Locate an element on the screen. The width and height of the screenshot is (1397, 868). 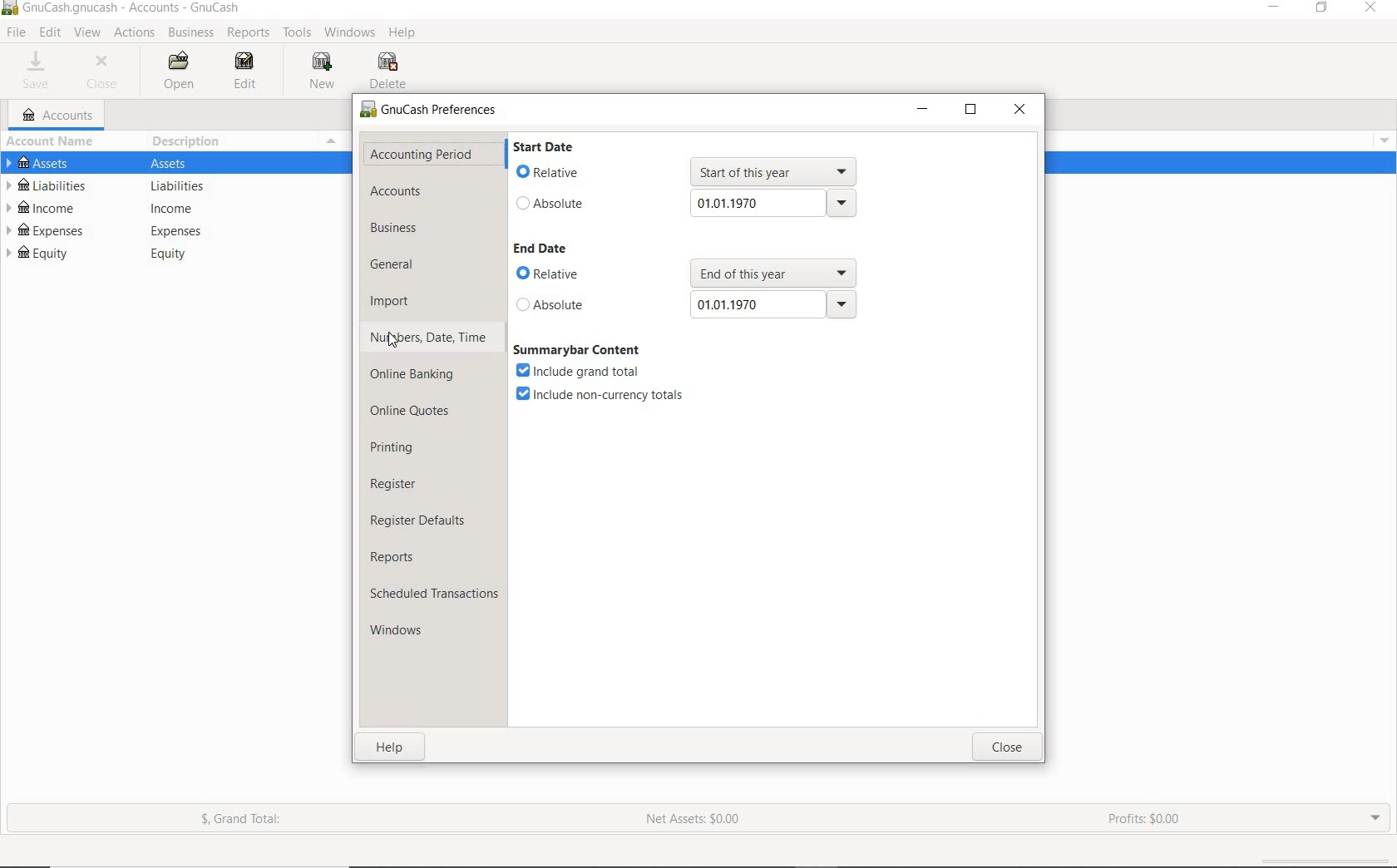
reports is located at coordinates (406, 555).